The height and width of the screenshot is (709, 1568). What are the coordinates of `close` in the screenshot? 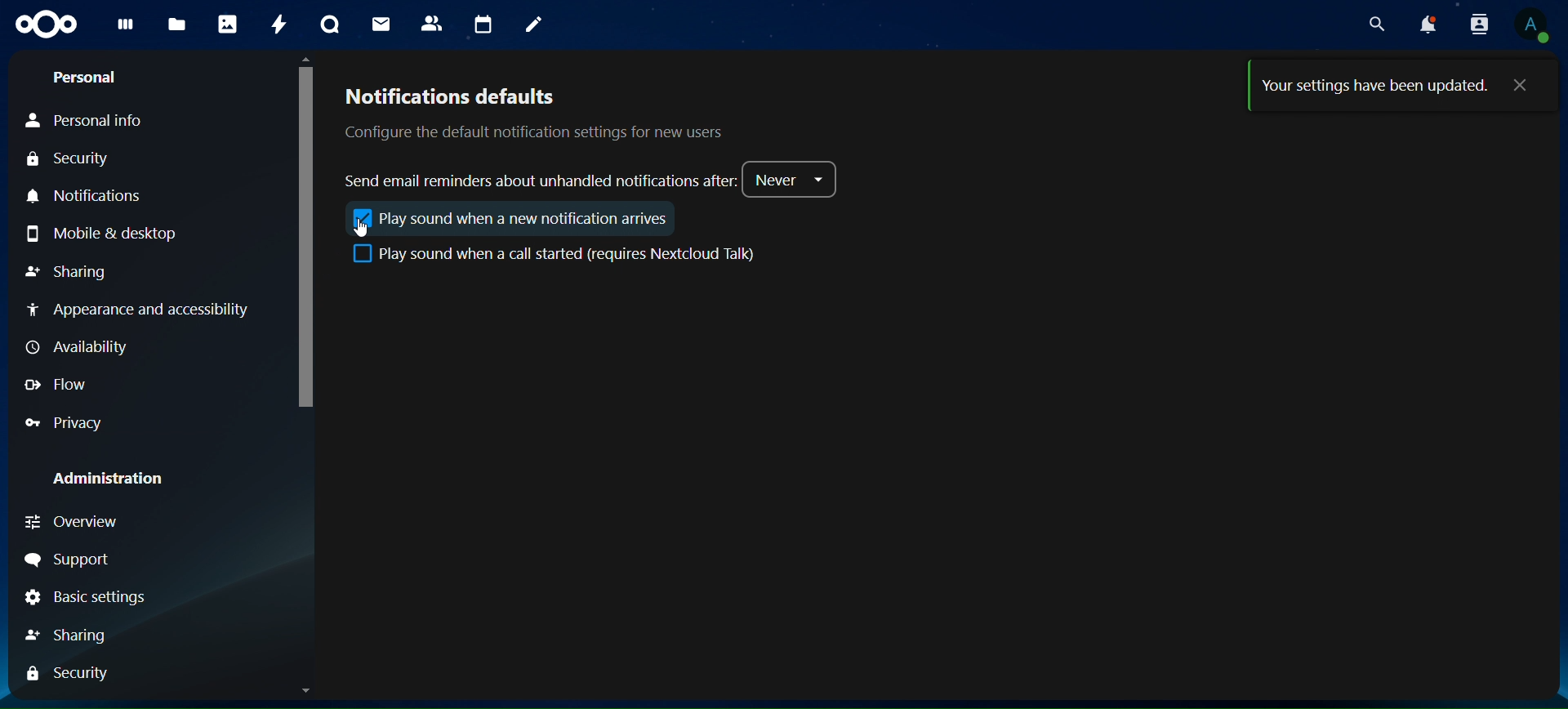 It's located at (1522, 87).